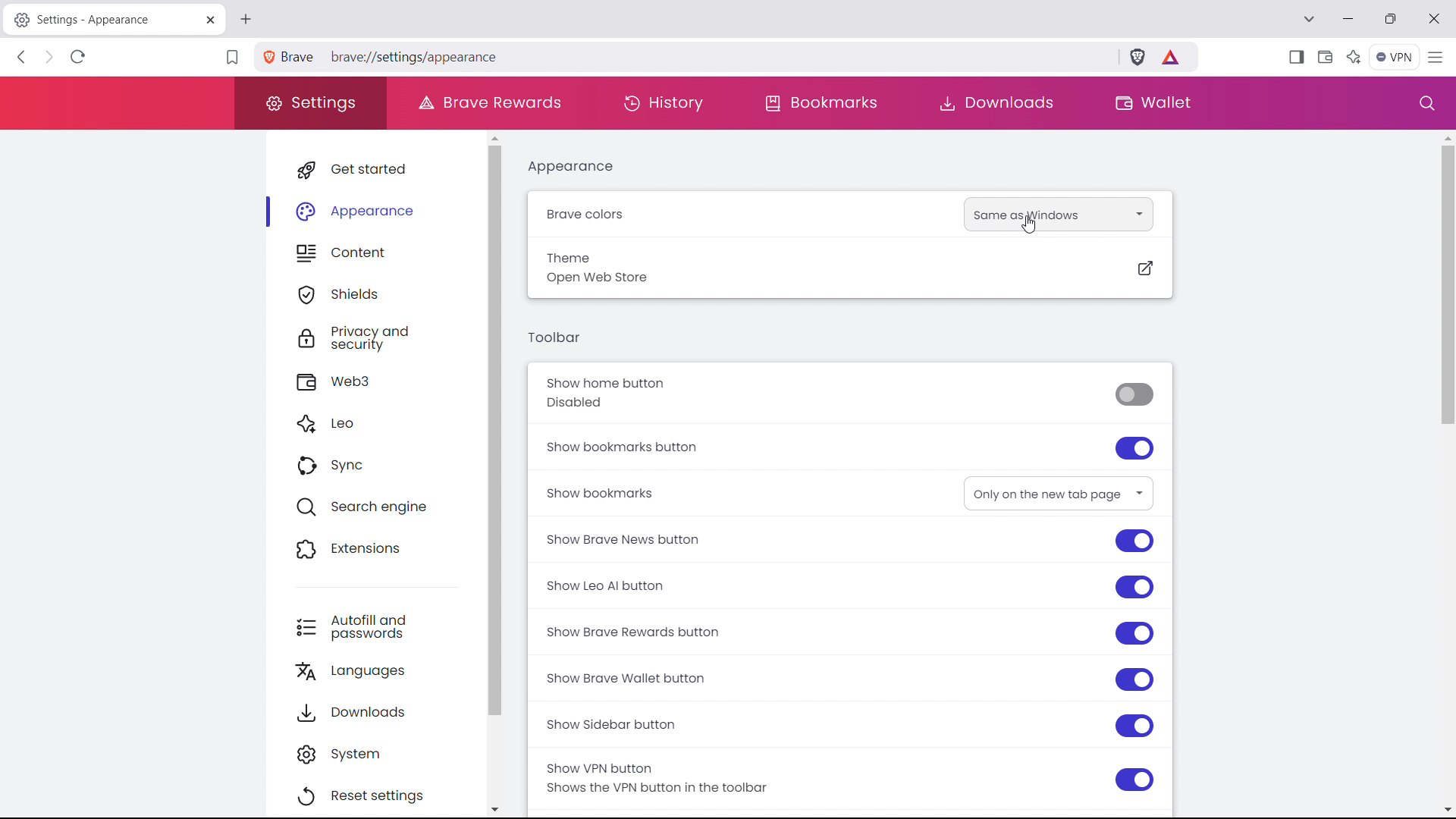 Image resolution: width=1456 pixels, height=819 pixels. Describe the element at coordinates (1395, 56) in the screenshot. I see `vpn` at that location.